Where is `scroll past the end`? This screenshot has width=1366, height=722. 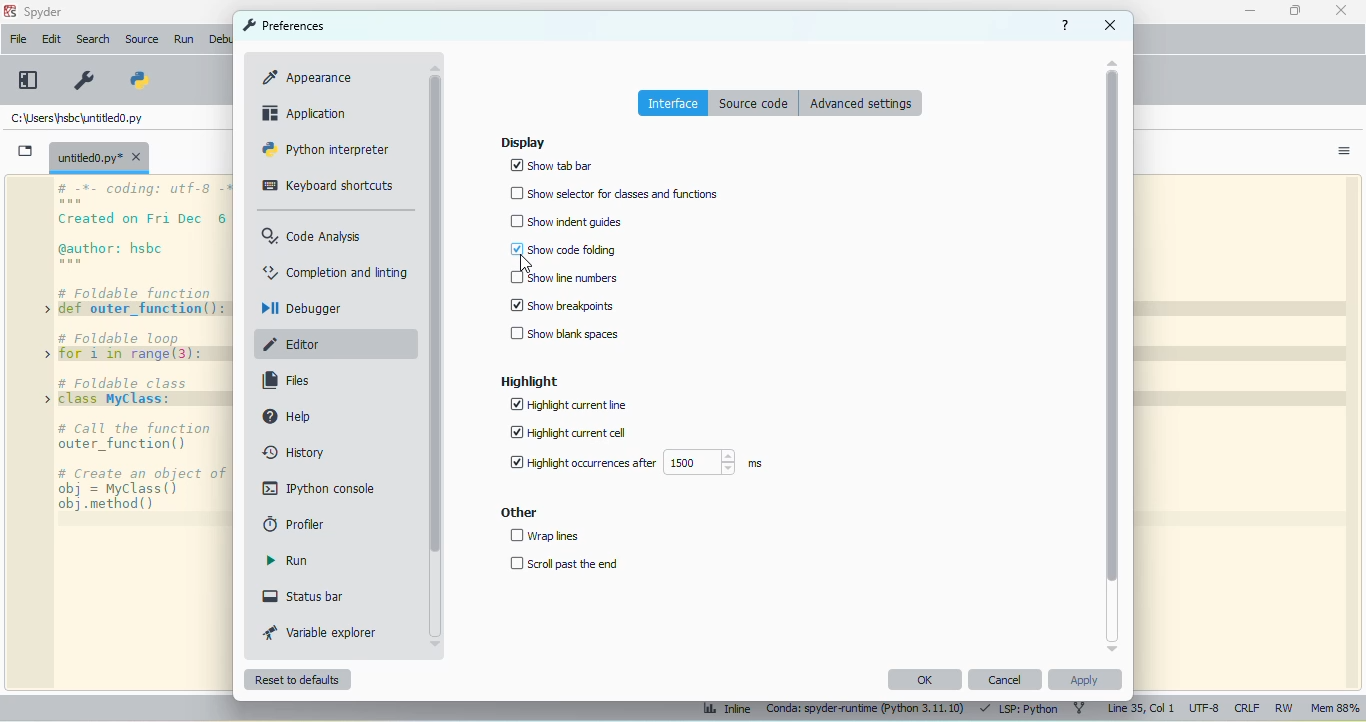
scroll past the end is located at coordinates (564, 563).